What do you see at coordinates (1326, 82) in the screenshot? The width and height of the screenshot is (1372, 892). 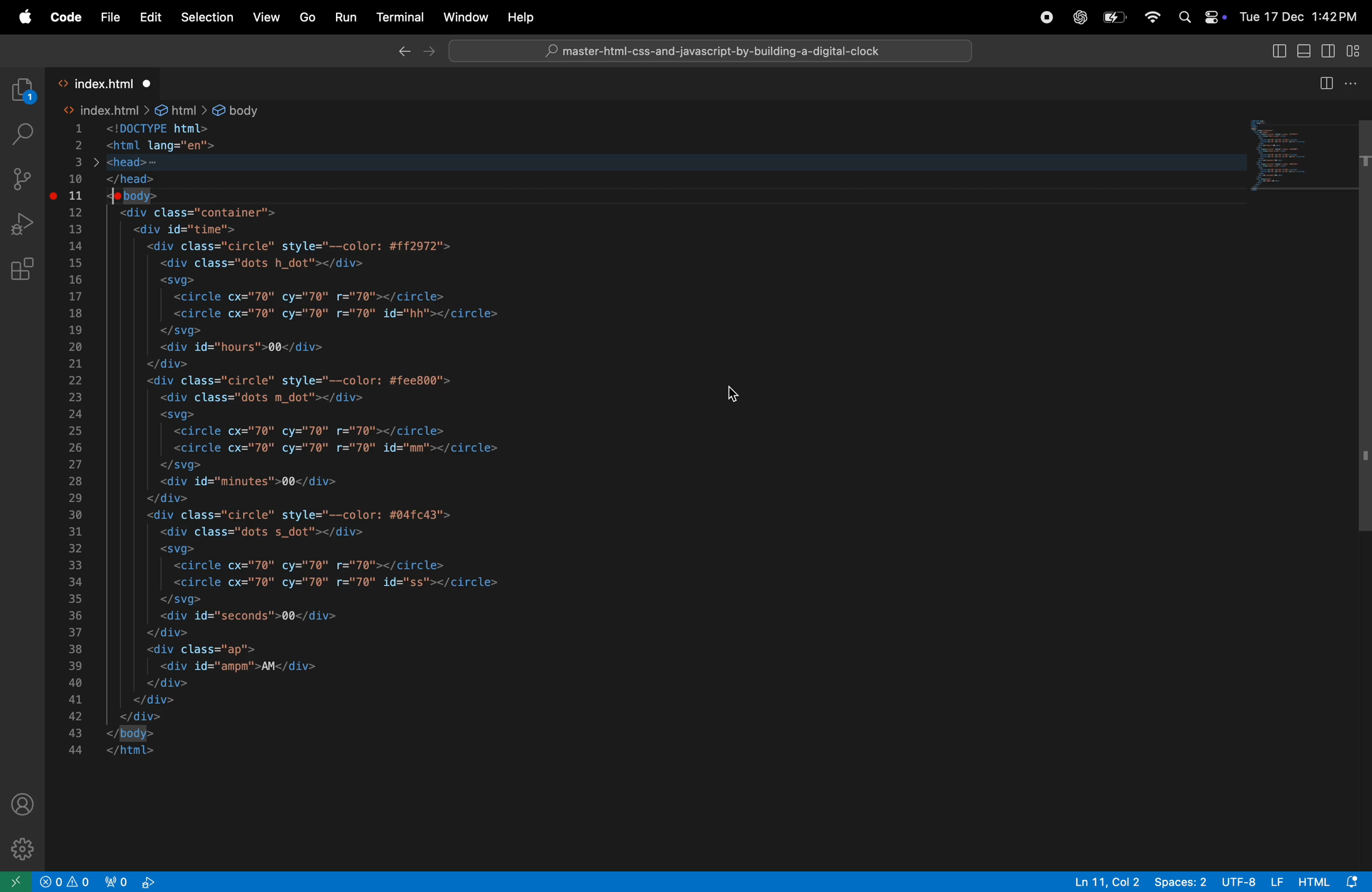 I see `split terminal` at bounding box center [1326, 82].